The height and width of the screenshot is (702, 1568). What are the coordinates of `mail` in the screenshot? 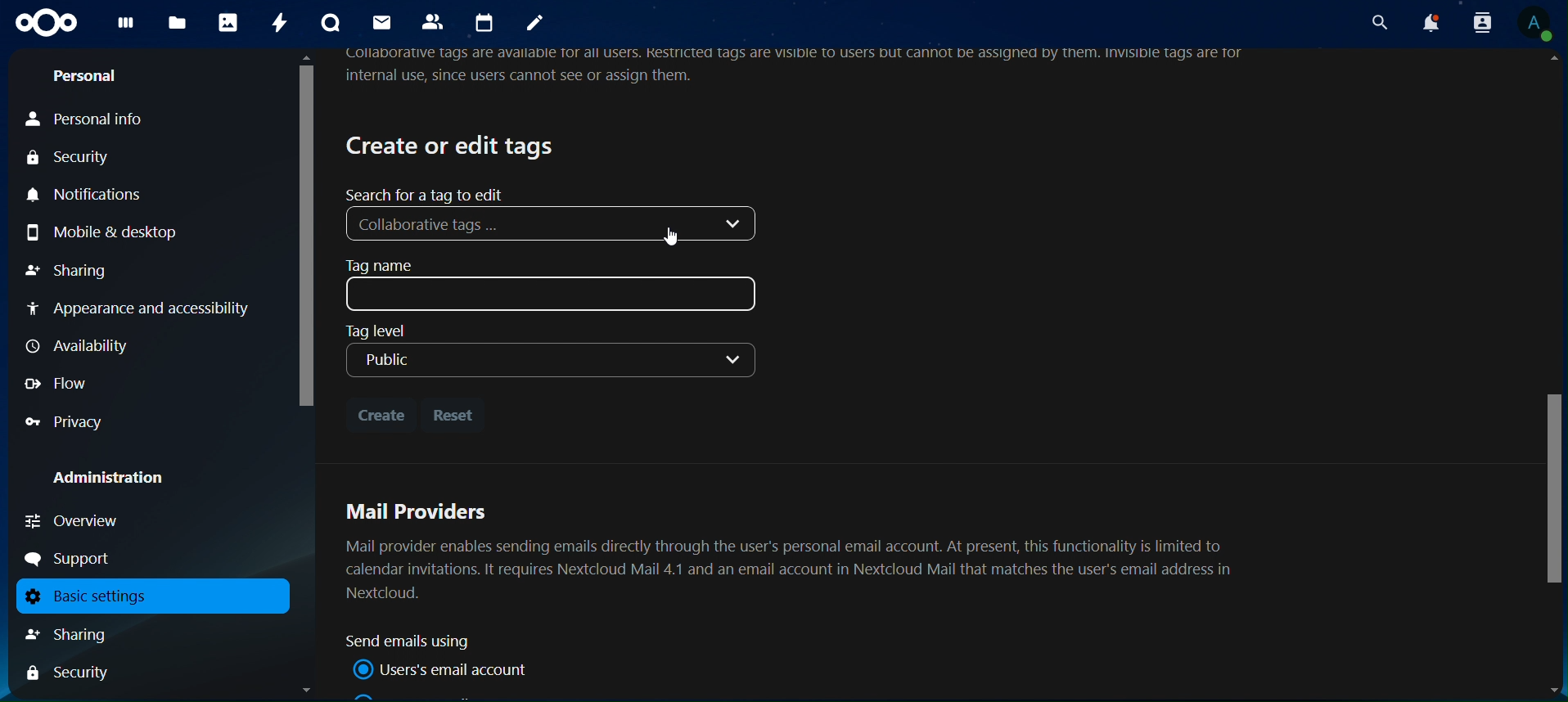 It's located at (381, 22).